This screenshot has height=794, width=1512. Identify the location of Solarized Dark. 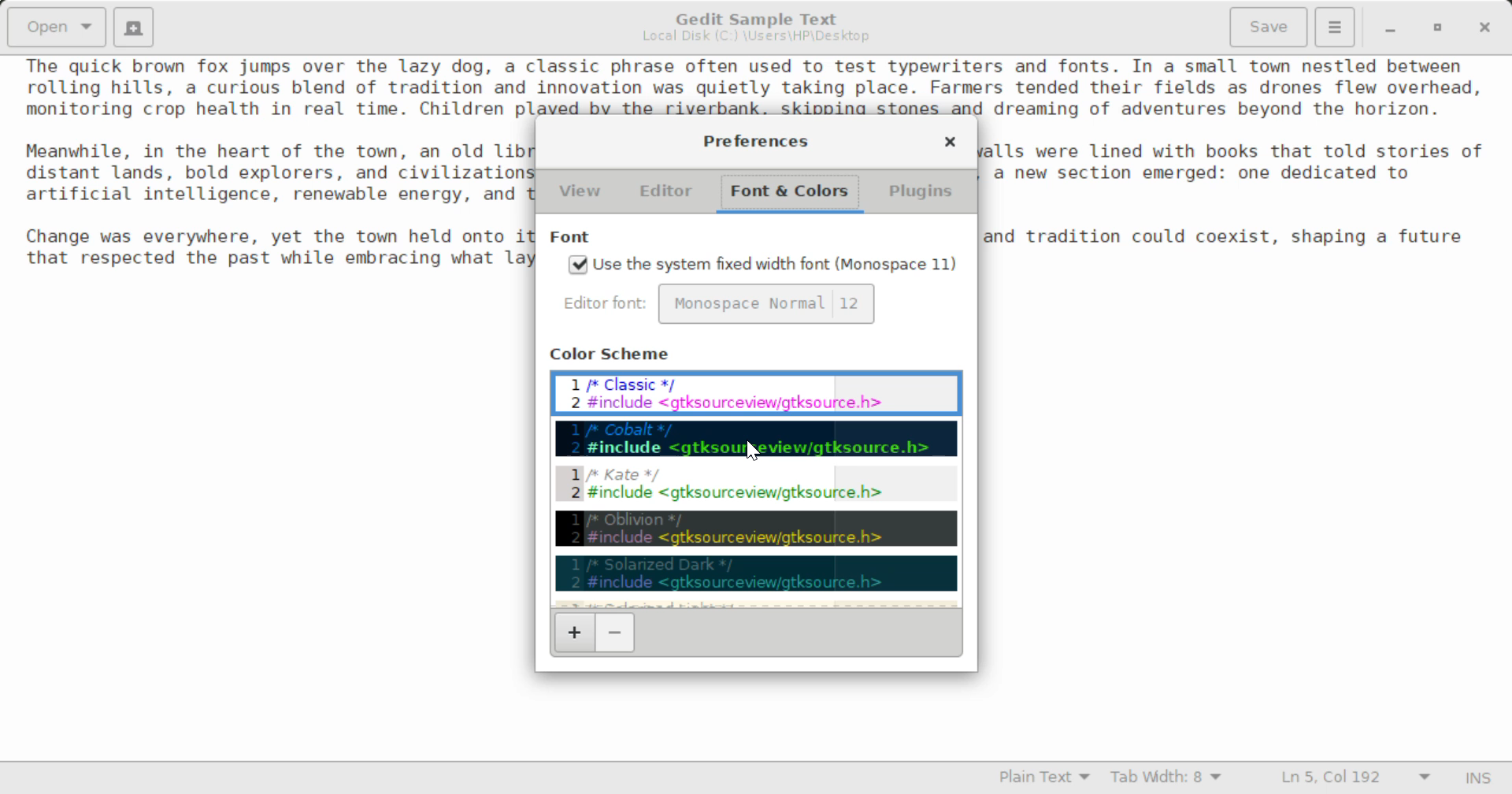
(754, 573).